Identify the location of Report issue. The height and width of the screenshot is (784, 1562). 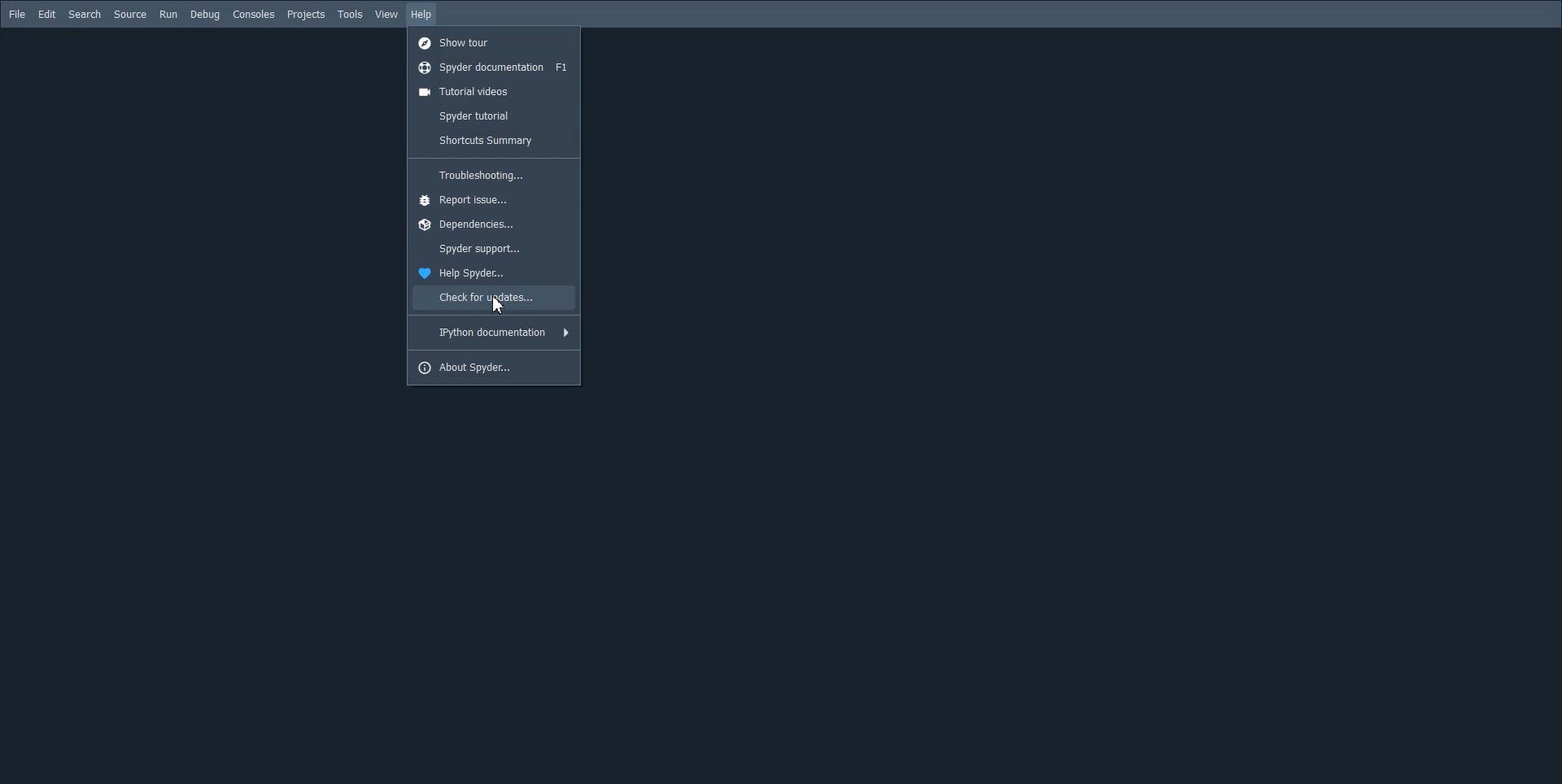
(494, 199).